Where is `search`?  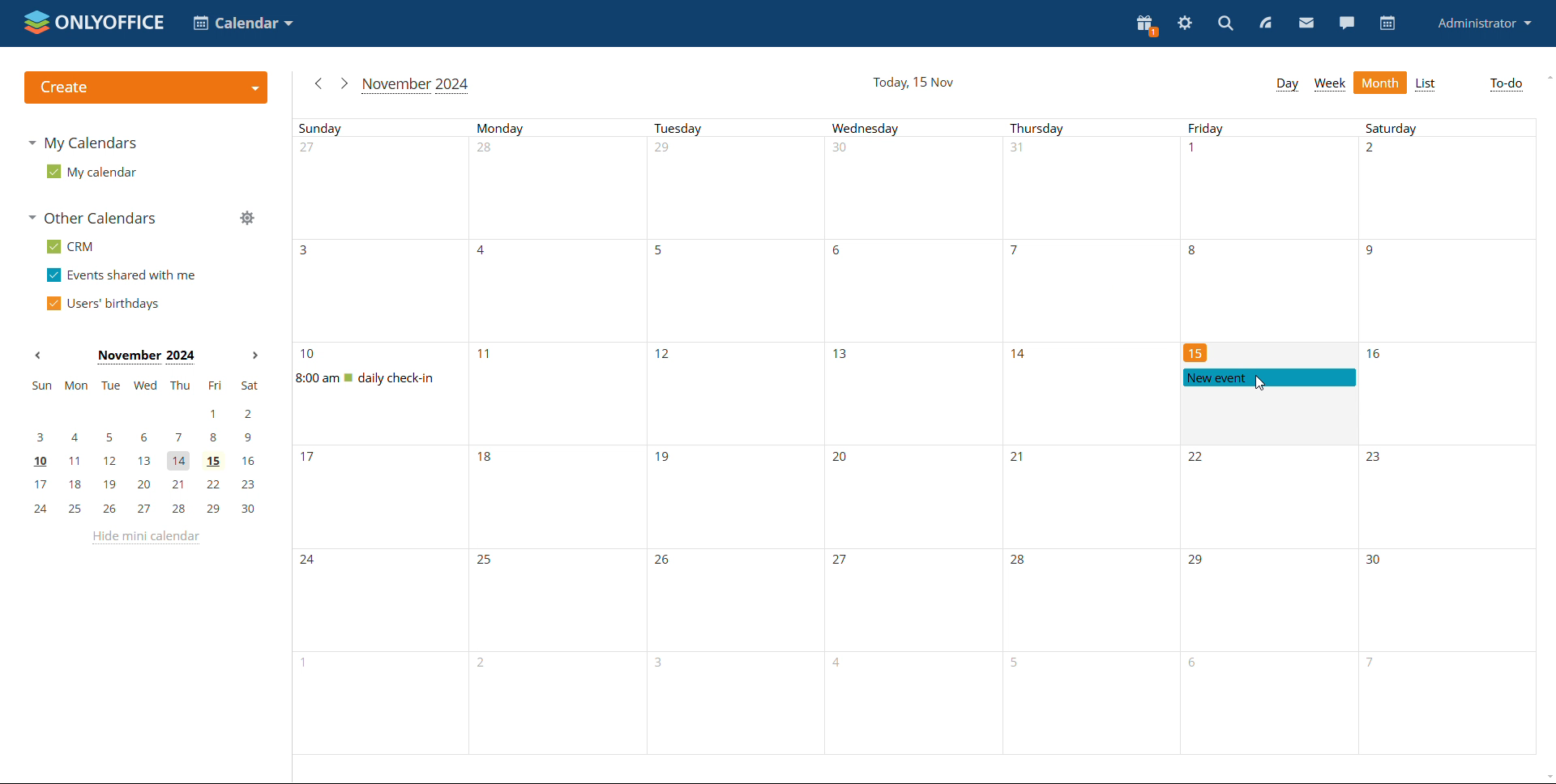 search is located at coordinates (1225, 23).